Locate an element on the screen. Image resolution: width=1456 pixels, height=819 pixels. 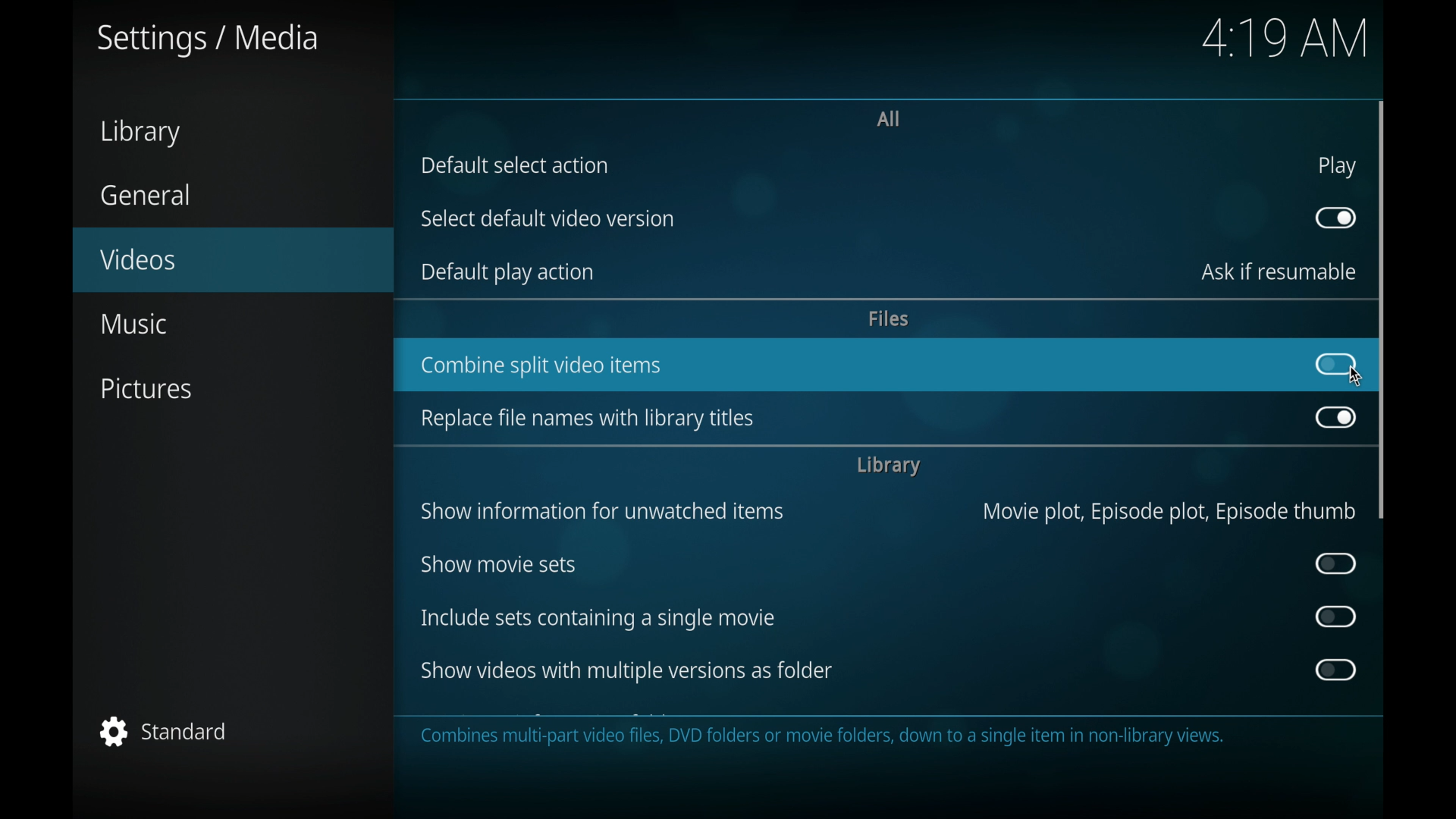
general is located at coordinates (144, 195).